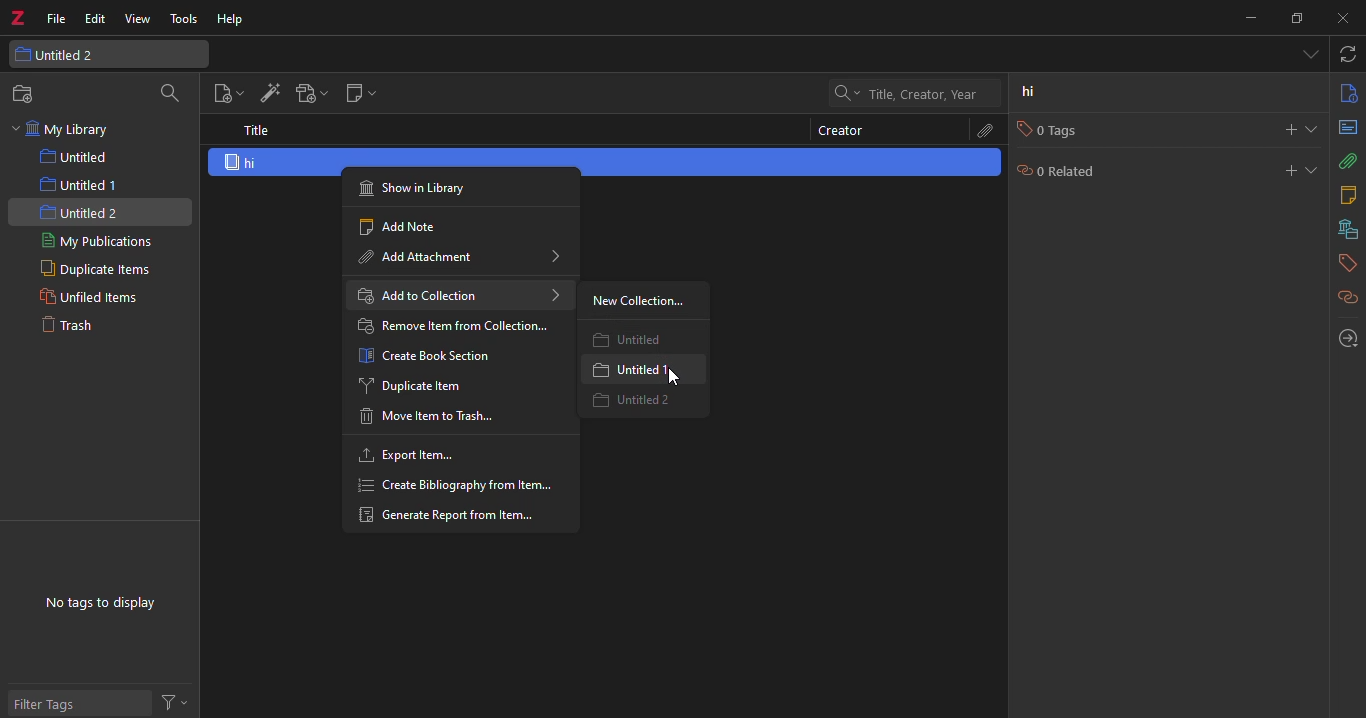 This screenshot has width=1366, height=718. Describe the element at coordinates (450, 257) in the screenshot. I see `add attachment` at that location.